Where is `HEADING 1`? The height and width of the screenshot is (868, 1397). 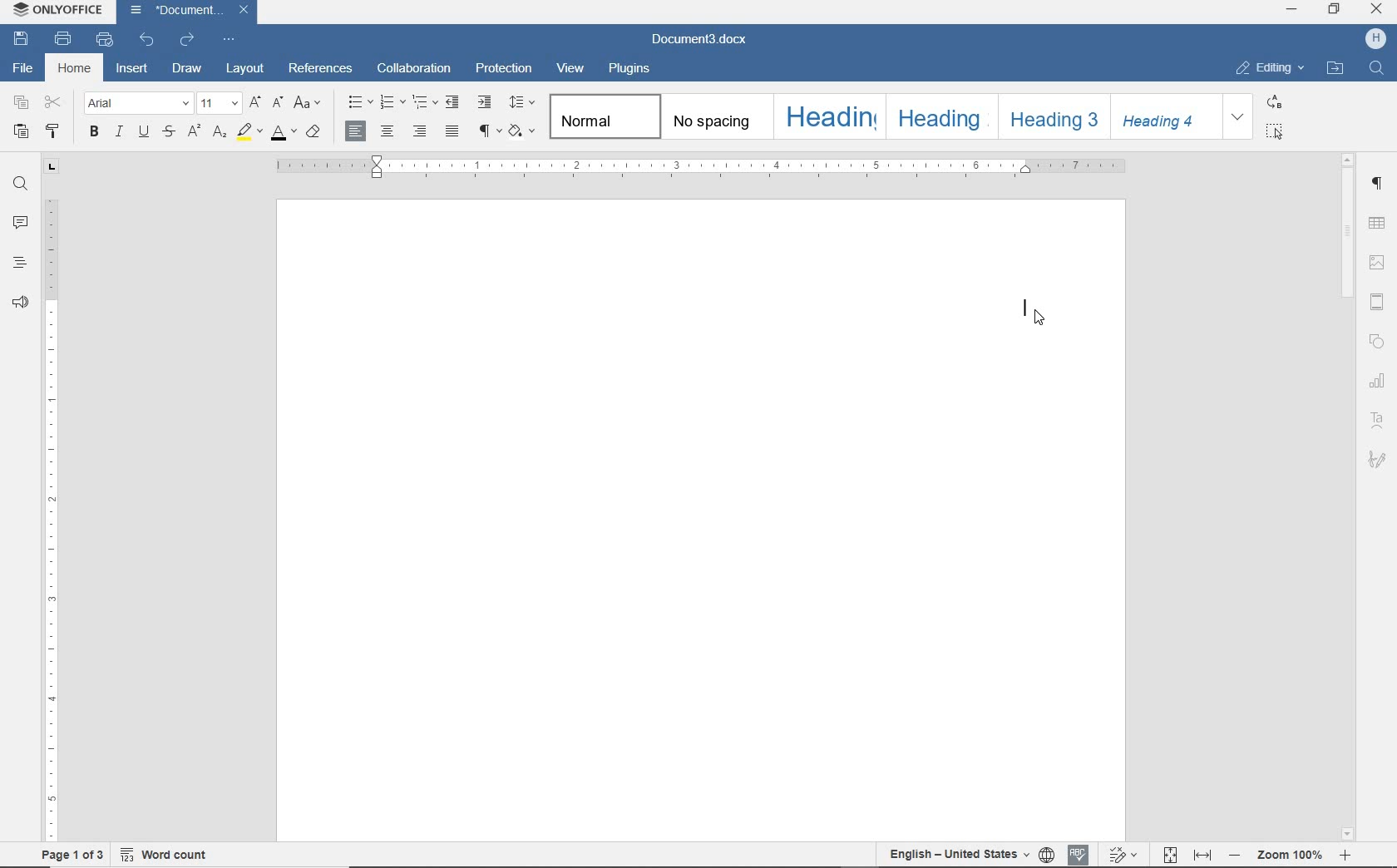 HEADING 1 is located at coordinates (827, 118).